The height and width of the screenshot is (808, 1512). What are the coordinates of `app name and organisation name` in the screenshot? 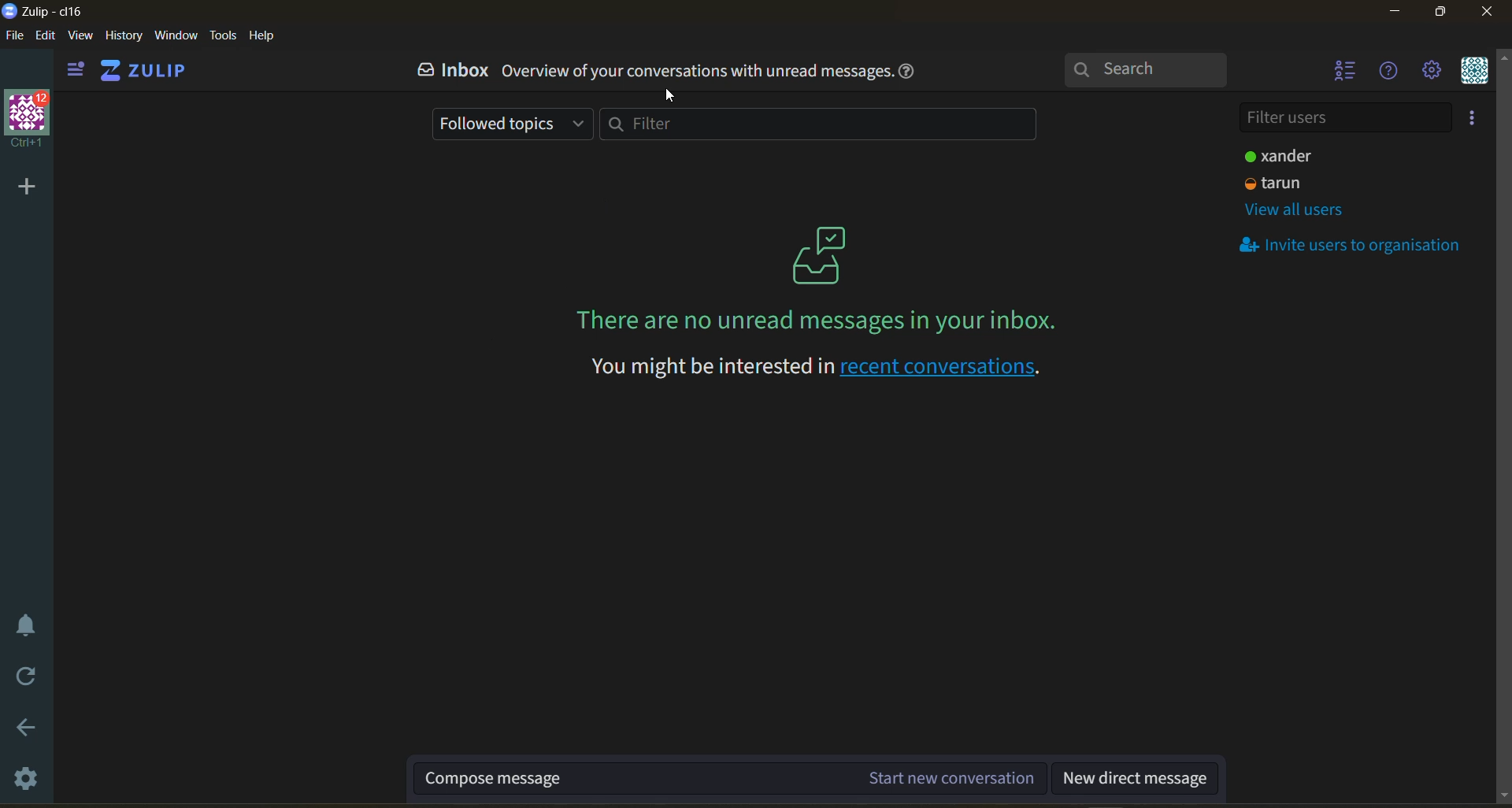 It's located at (44, 10).